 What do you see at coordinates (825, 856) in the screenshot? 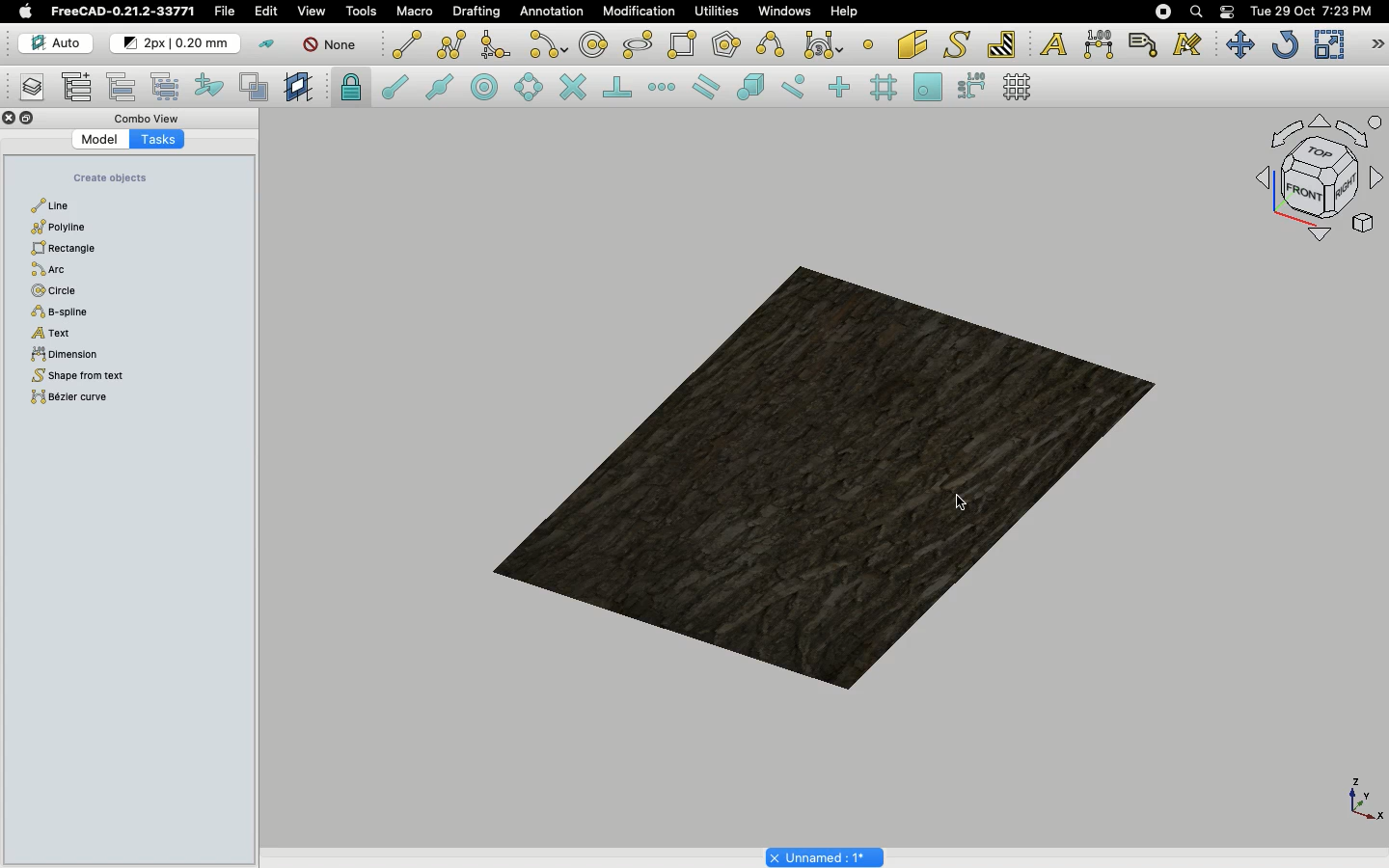
I see `Project name` at bounding box center [825, 856].